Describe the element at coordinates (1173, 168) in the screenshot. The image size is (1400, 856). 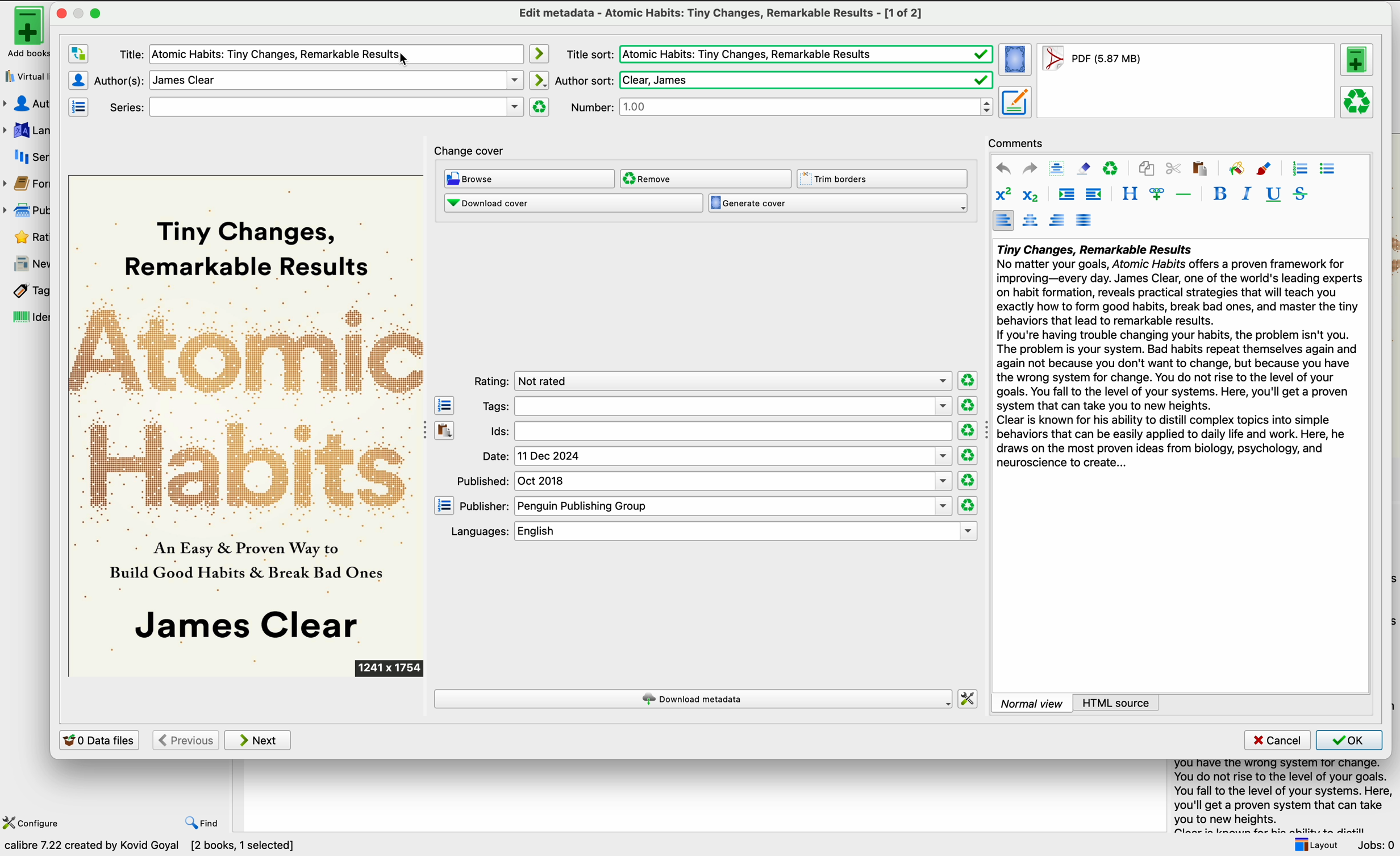
I see `cut` at that location.